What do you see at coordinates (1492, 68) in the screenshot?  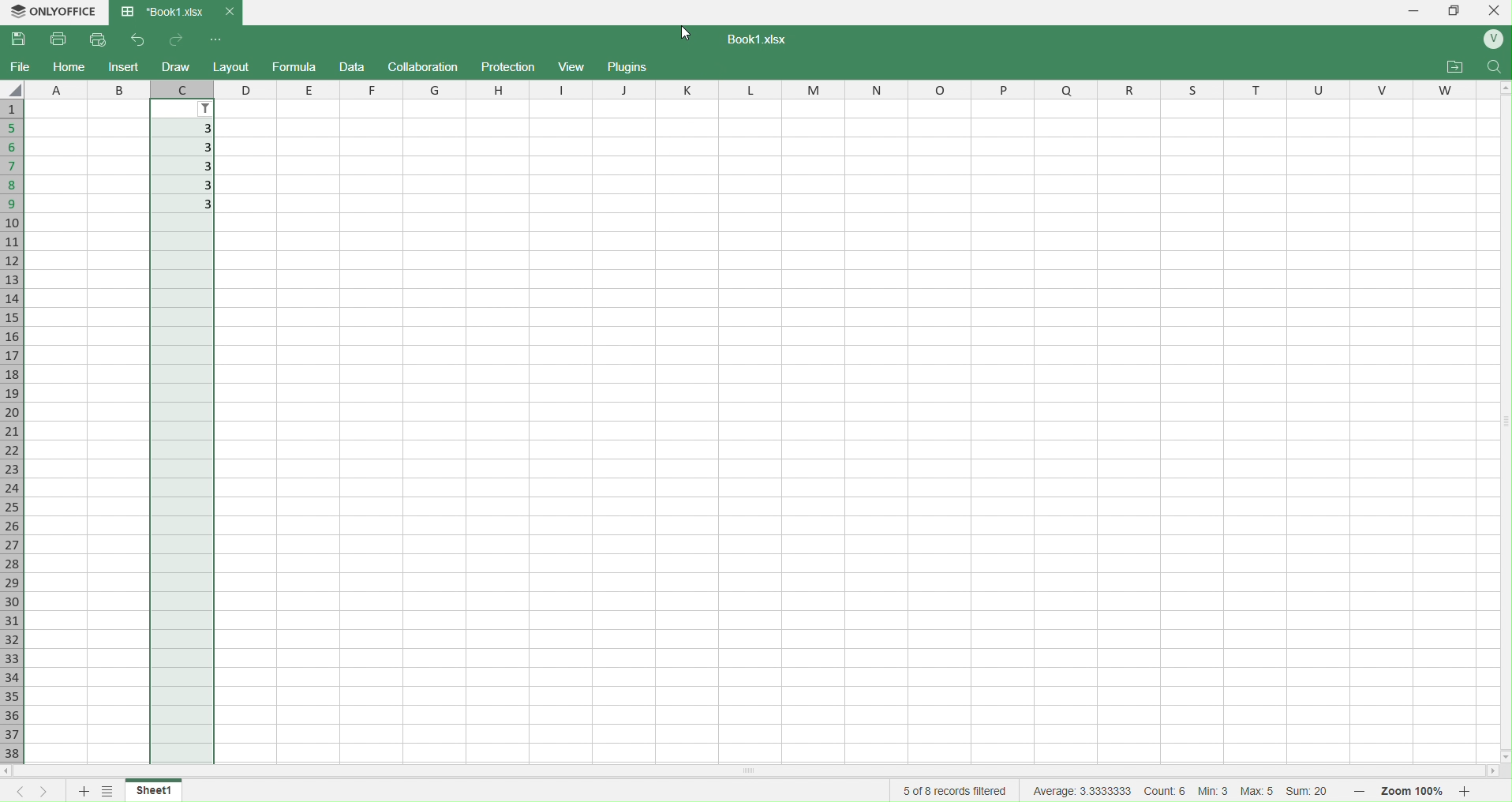 I see `Find` at bounding box center [1492, 68].